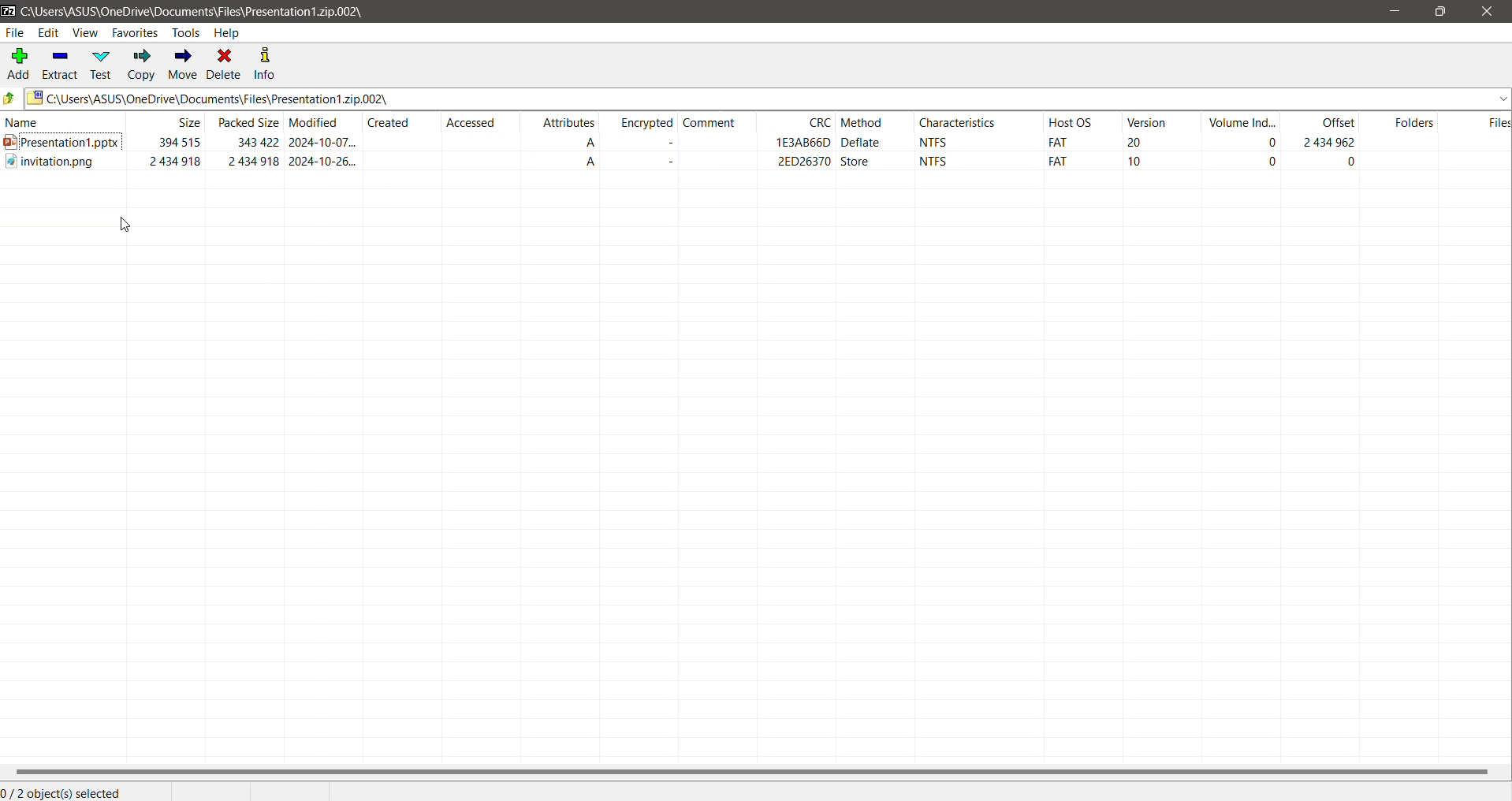 The width and height of the screenshot is (1512, 801). Describe the element at coordinates (142, 65) in the screenshot. I see `Copy` at that location.